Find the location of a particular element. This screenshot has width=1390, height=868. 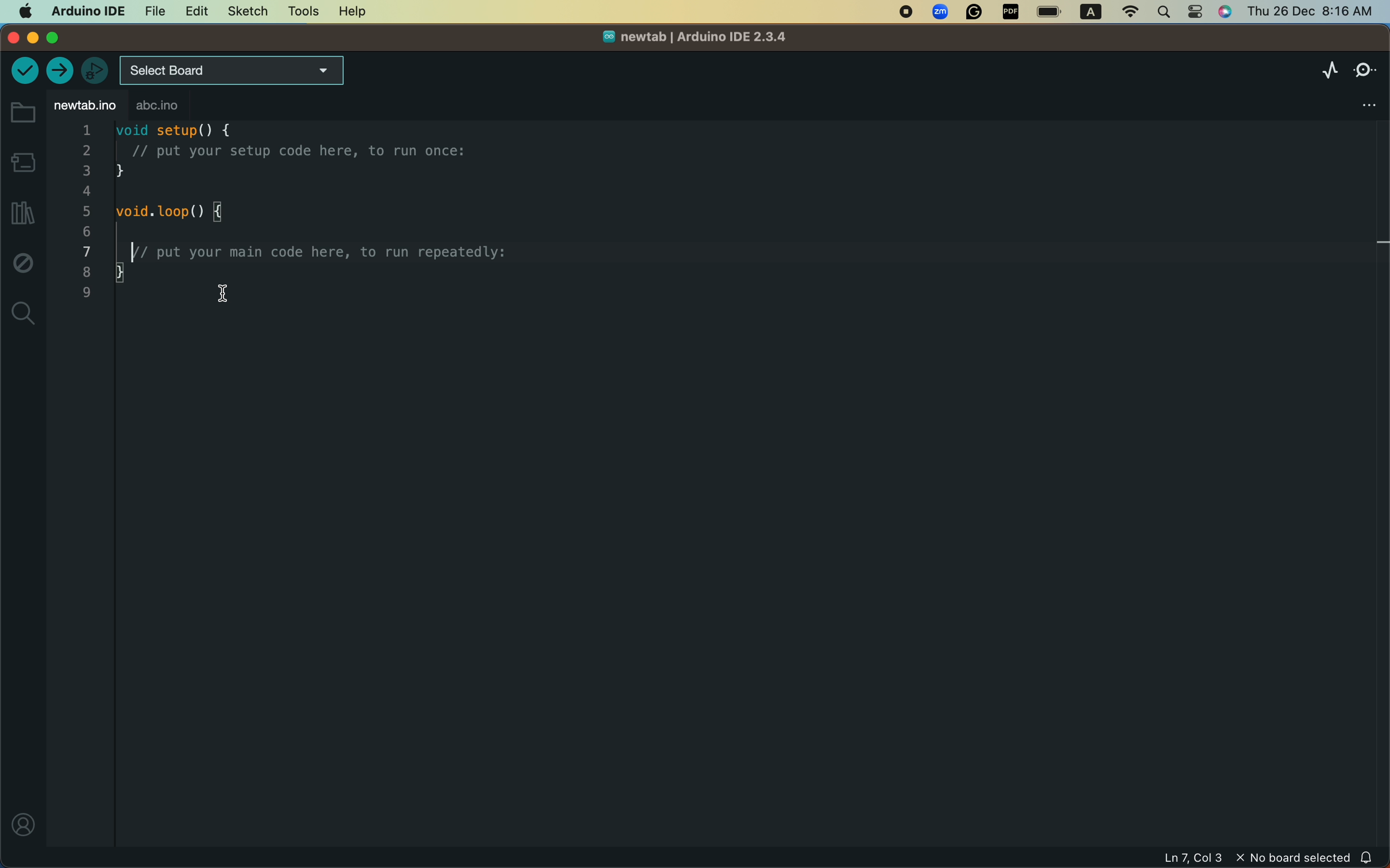

tools is located at coordinates (303, 11).